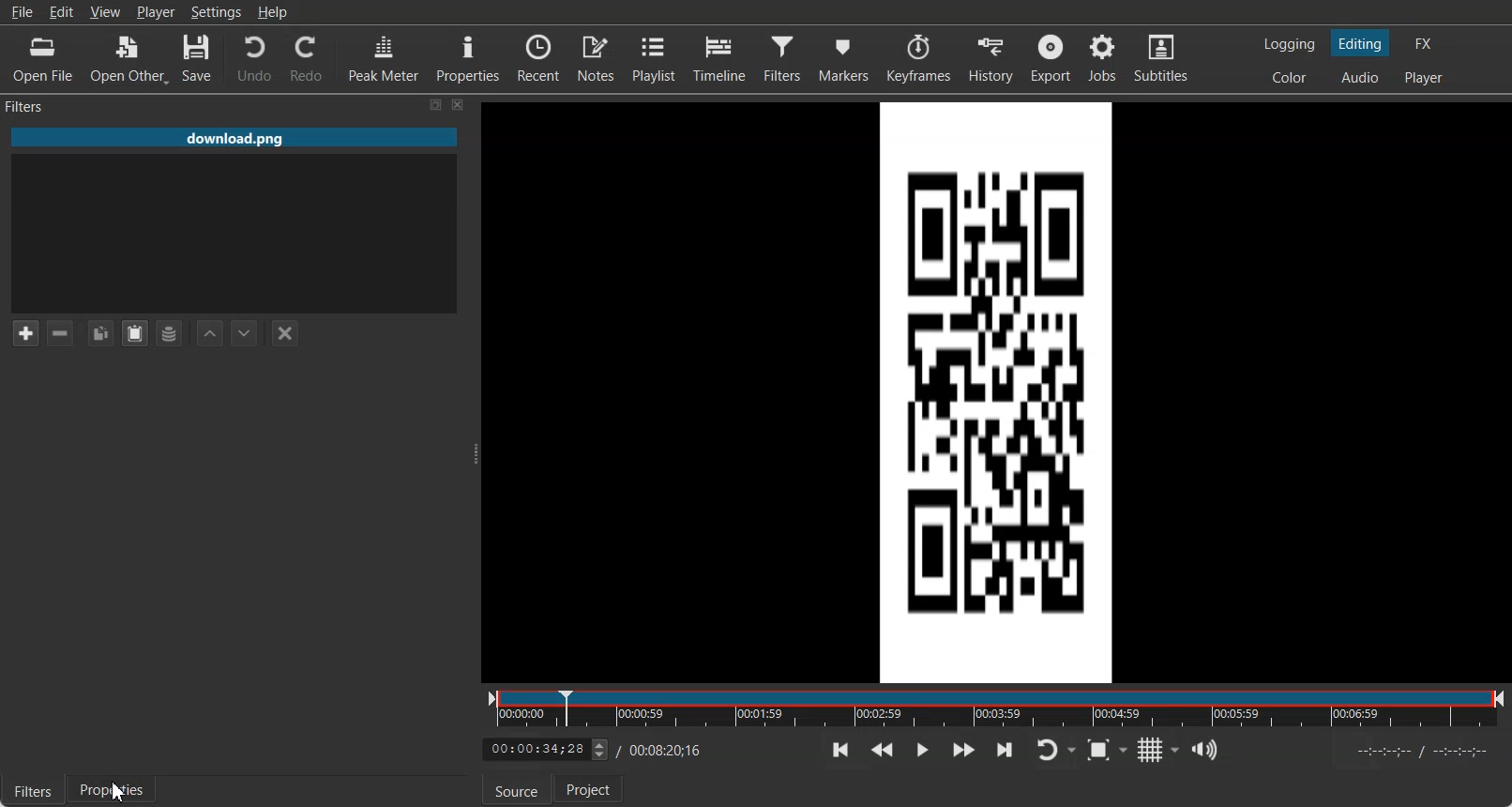 The image size is (1512, 807). What do you see at coordinates (459, 105) in the screenshot?
I see `Close` at bounding box center [459, 105].